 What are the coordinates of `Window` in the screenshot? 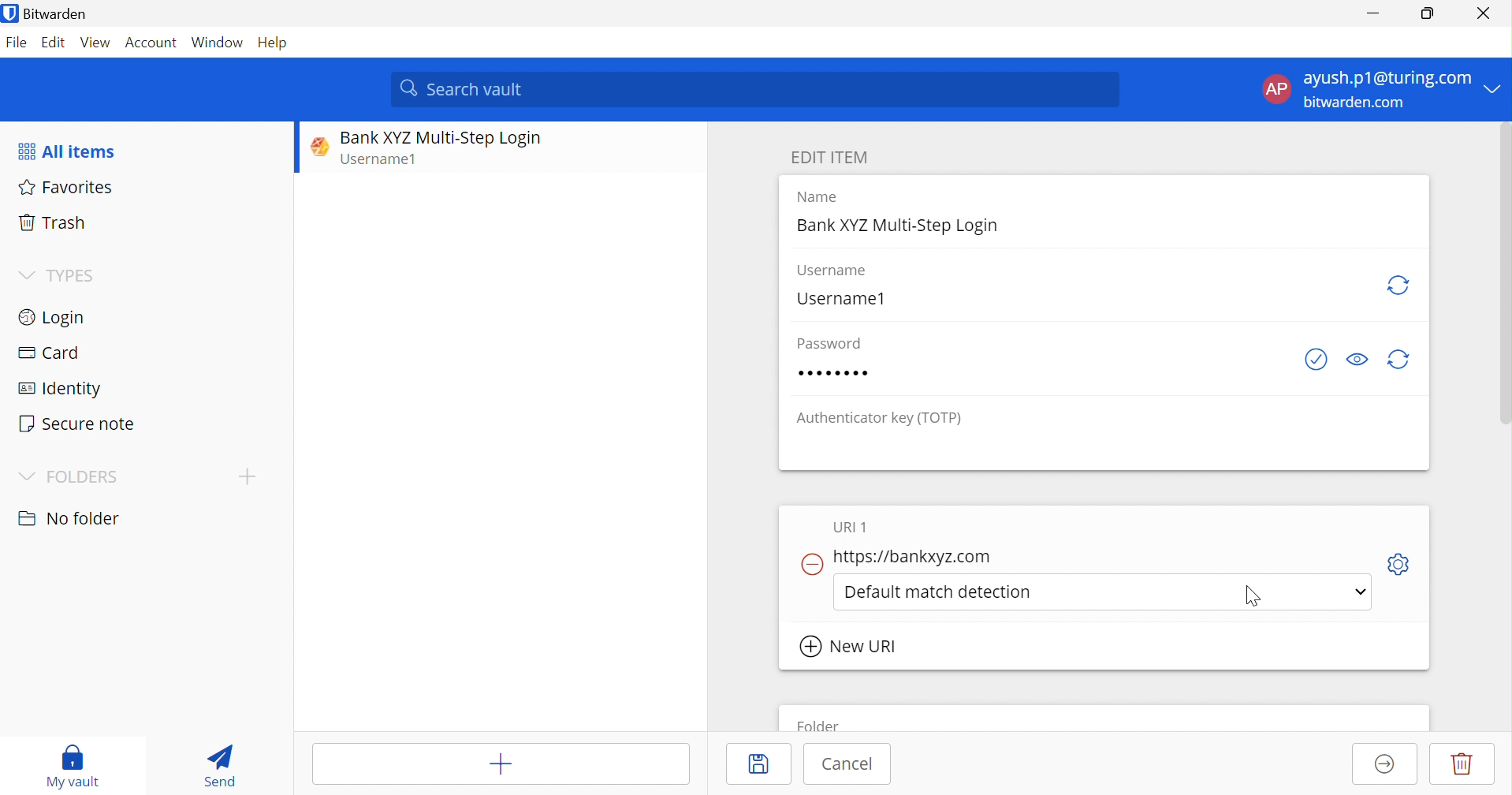 It's located at (218, 44).